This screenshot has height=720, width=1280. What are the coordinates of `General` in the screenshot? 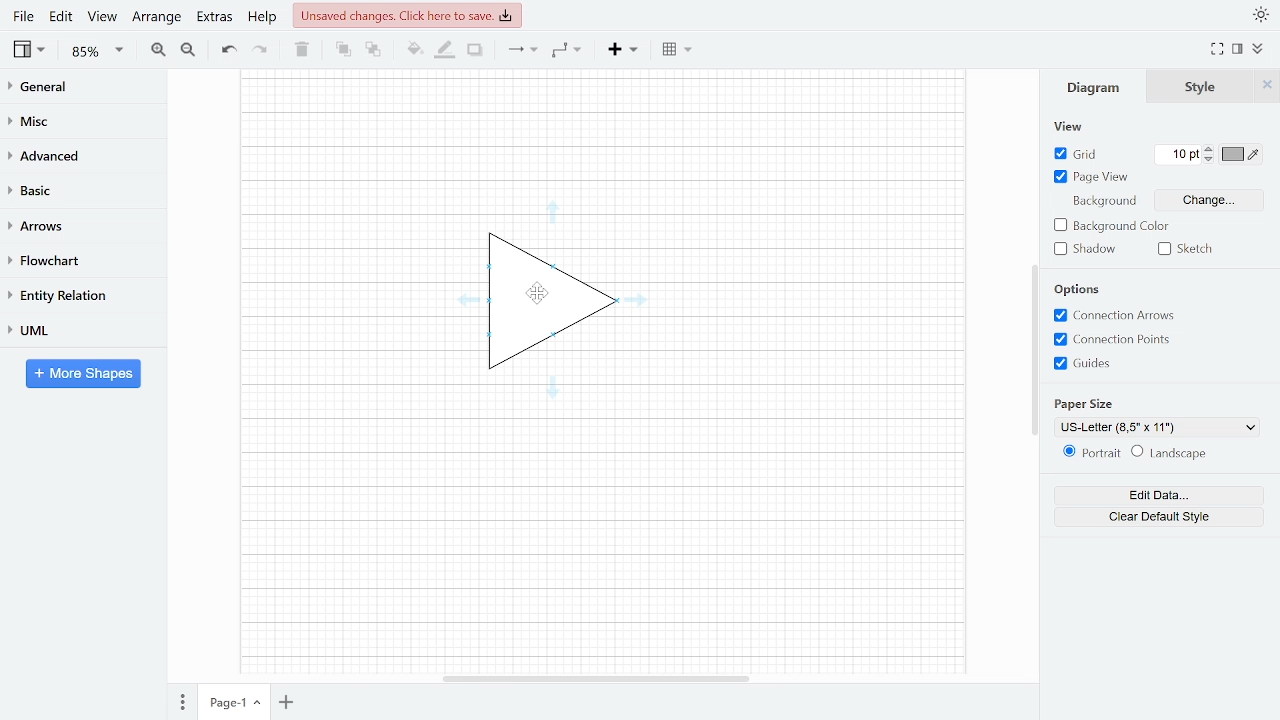 It's located at (76, 89).